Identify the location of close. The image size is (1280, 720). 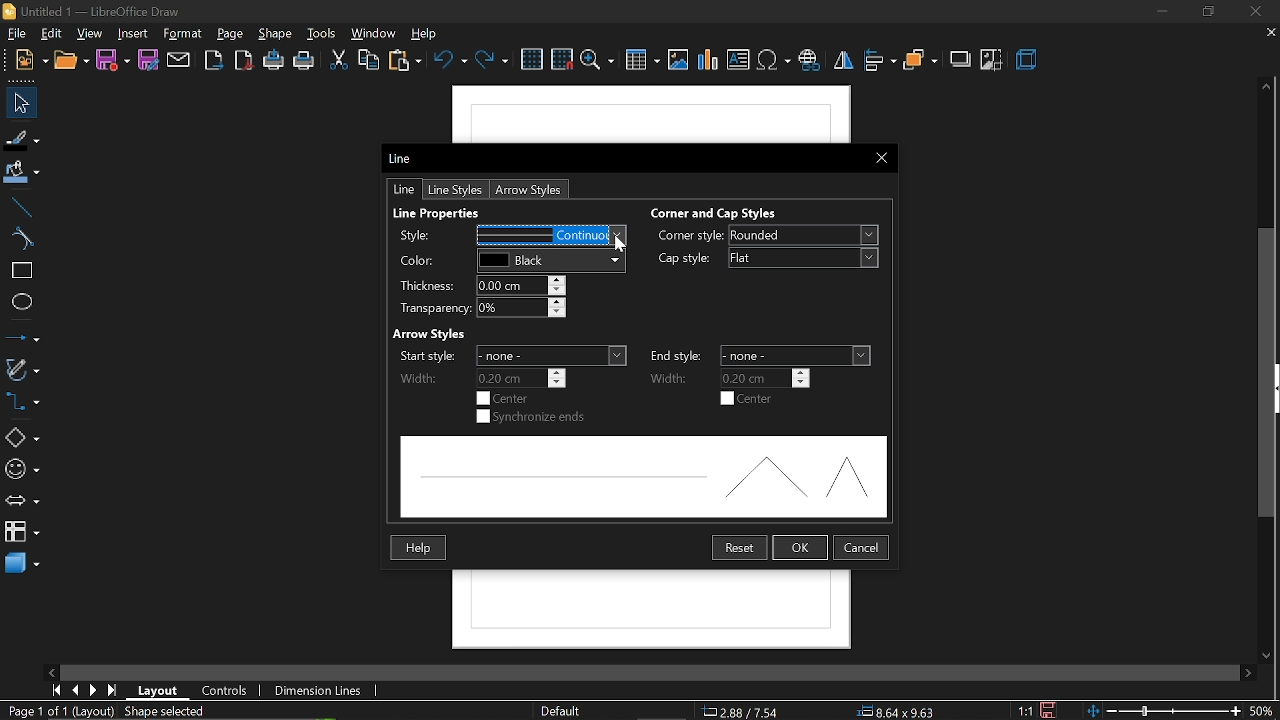
(1254, 11).